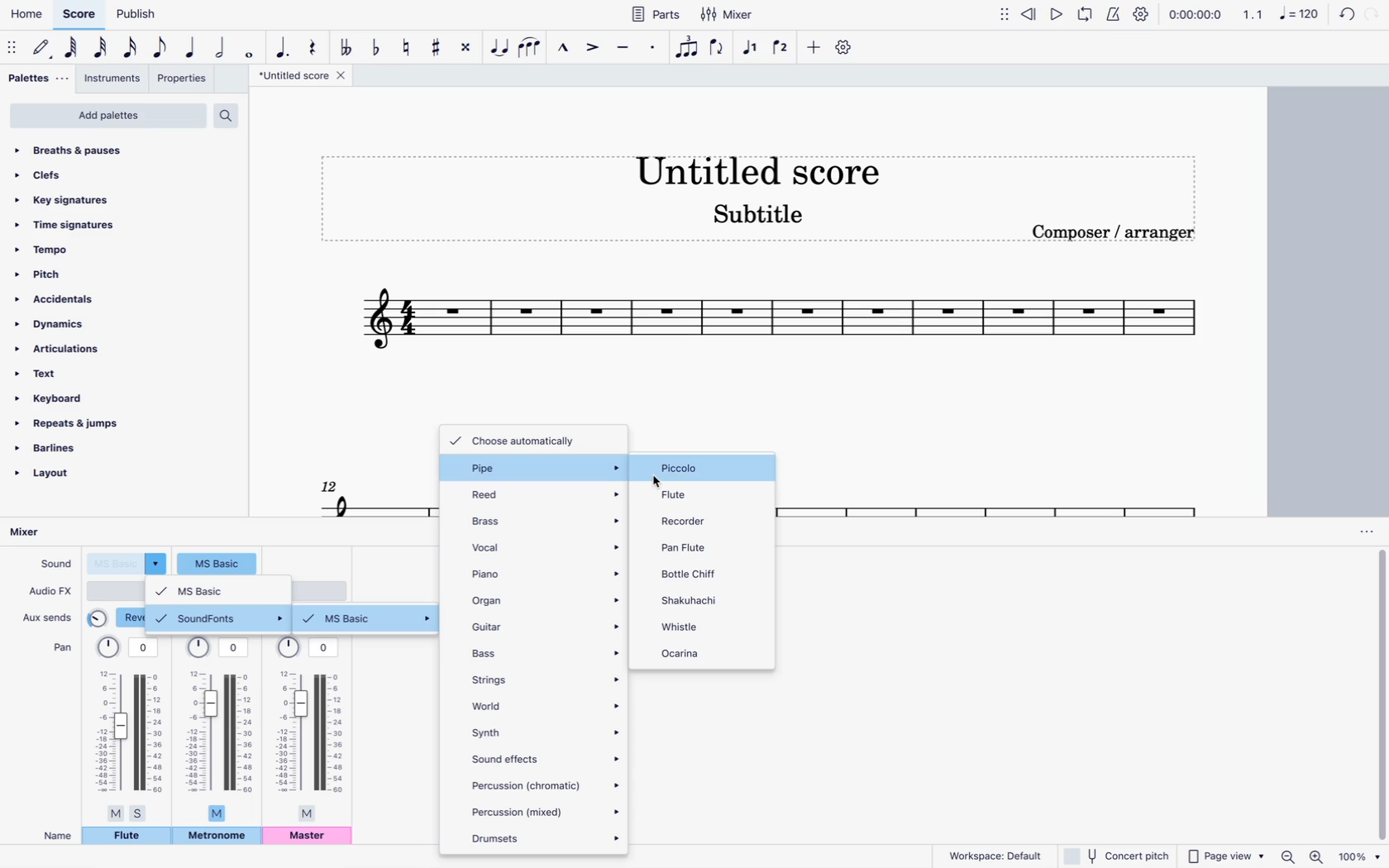 This screenshot has width=1389, height=868. I want to click on move, so click(13, 46).